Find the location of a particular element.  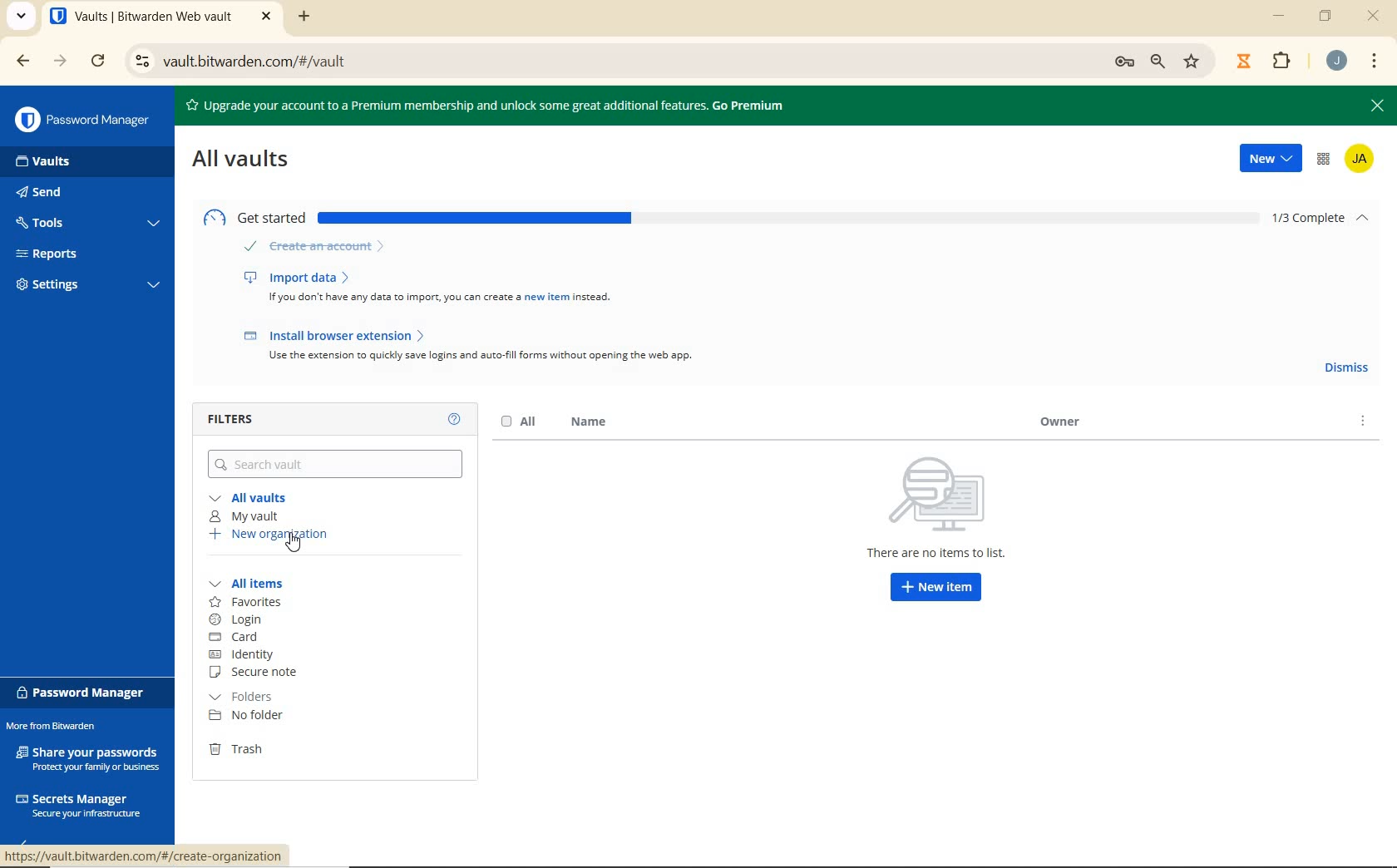

card is located at coordinates (238, 637).